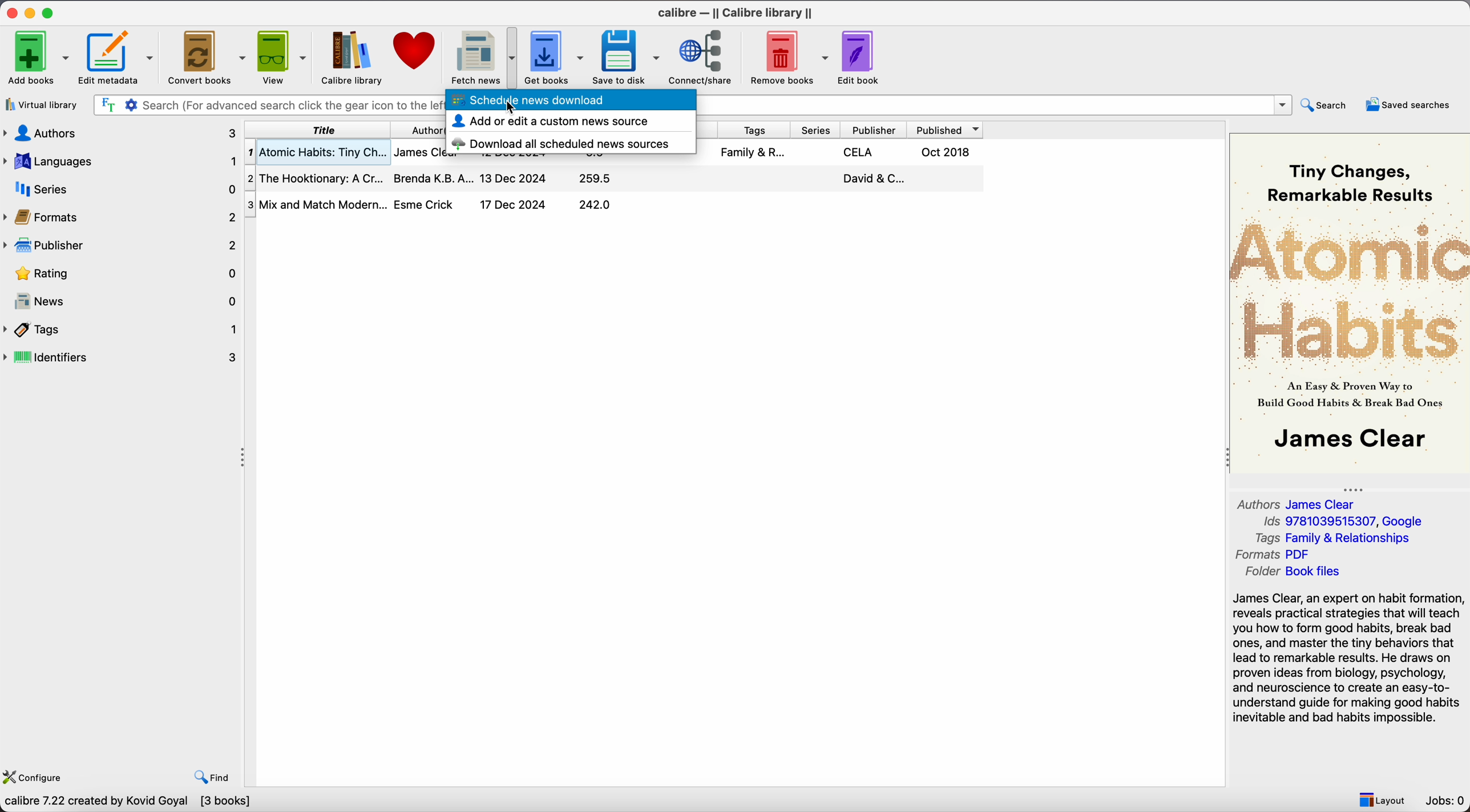 This screenshot has height=812, width=1470. Describe the element at coordinates (752, 152) in the screenshot. I see `Family & R...` at that location.